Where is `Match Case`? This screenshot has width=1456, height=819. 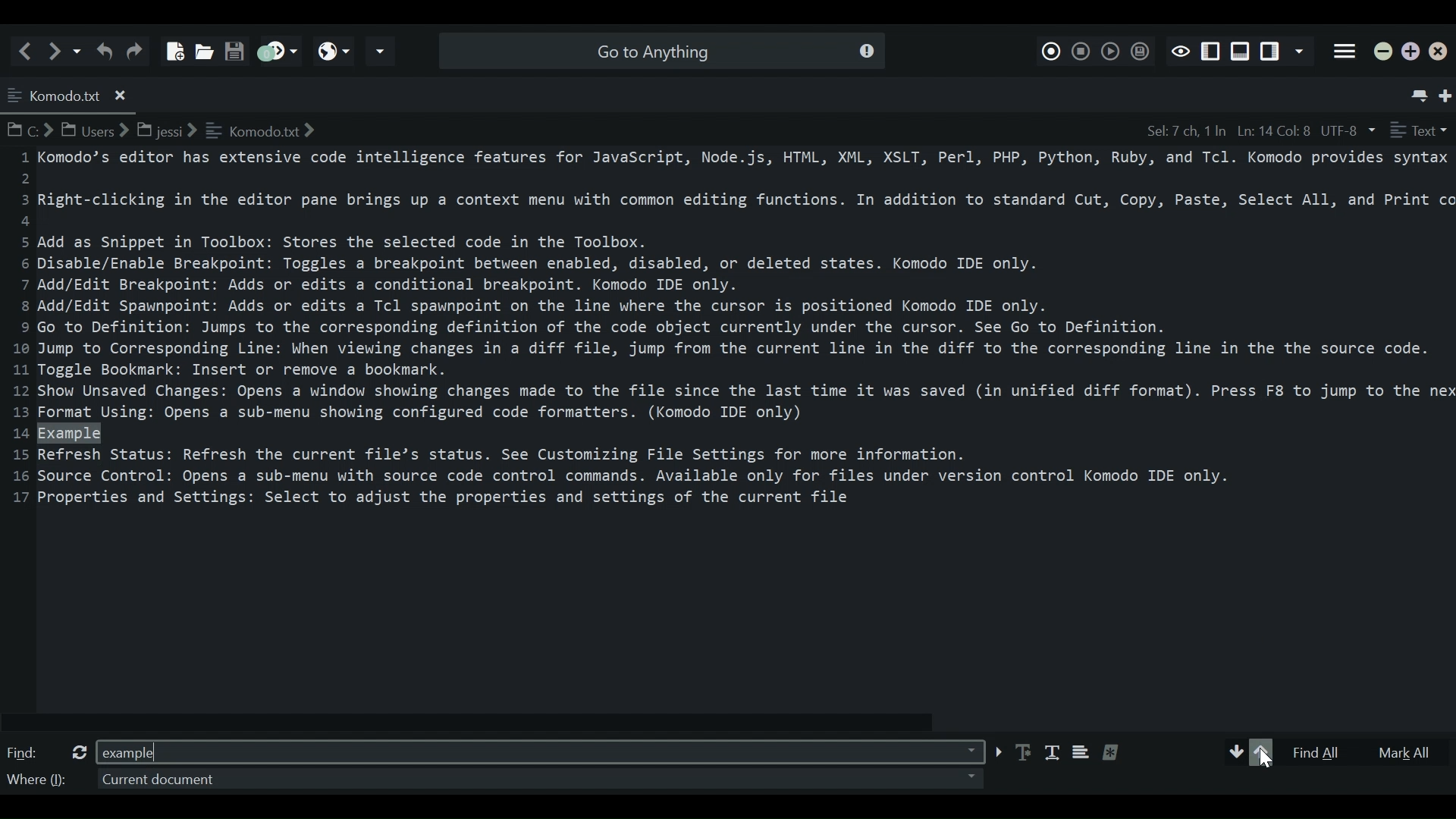
Match Case is located at coordinates (1025, 752).